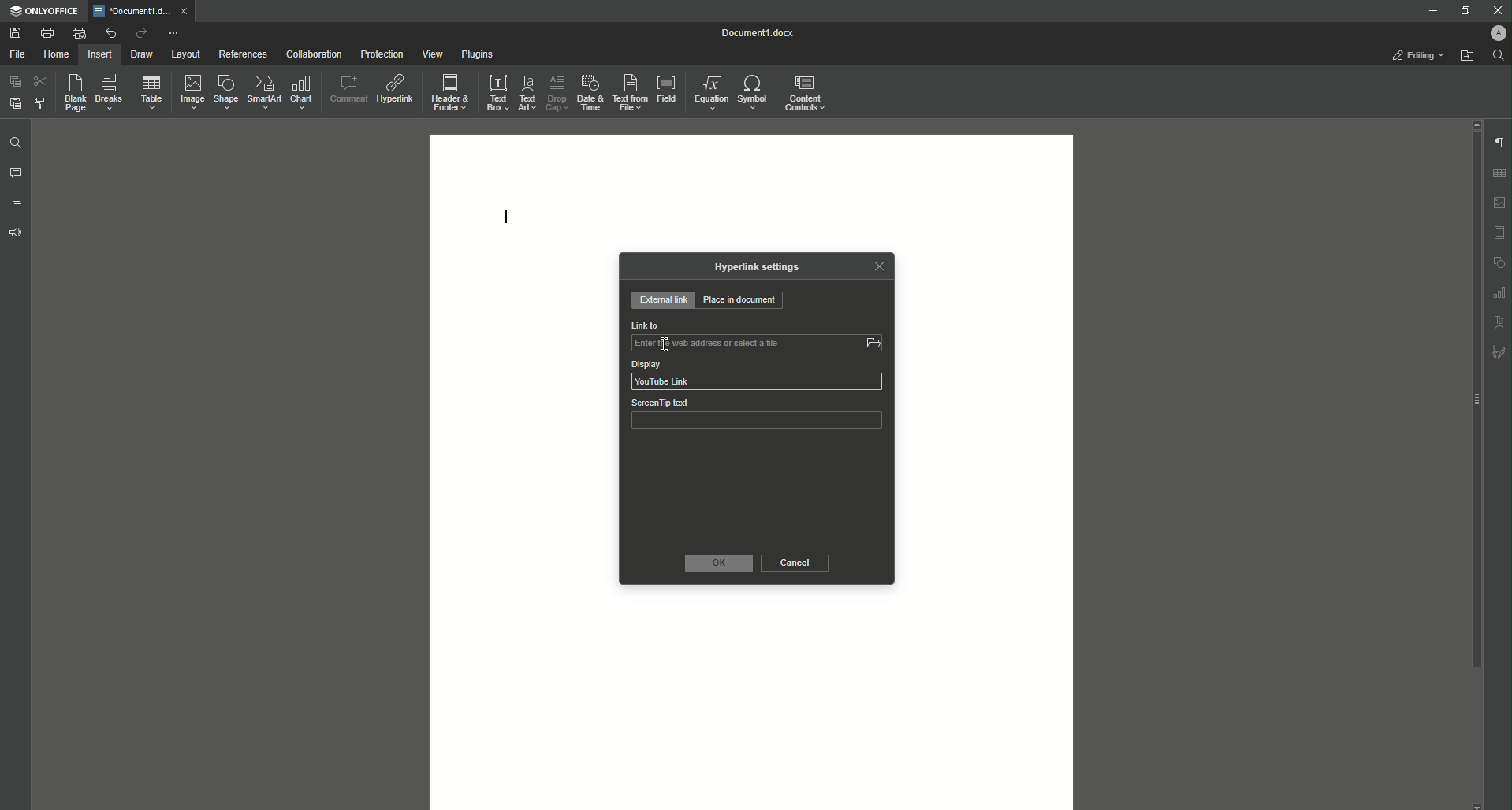 This screenshot has height=810, width=1512. I want to click on Text Line, so click(504, 218).